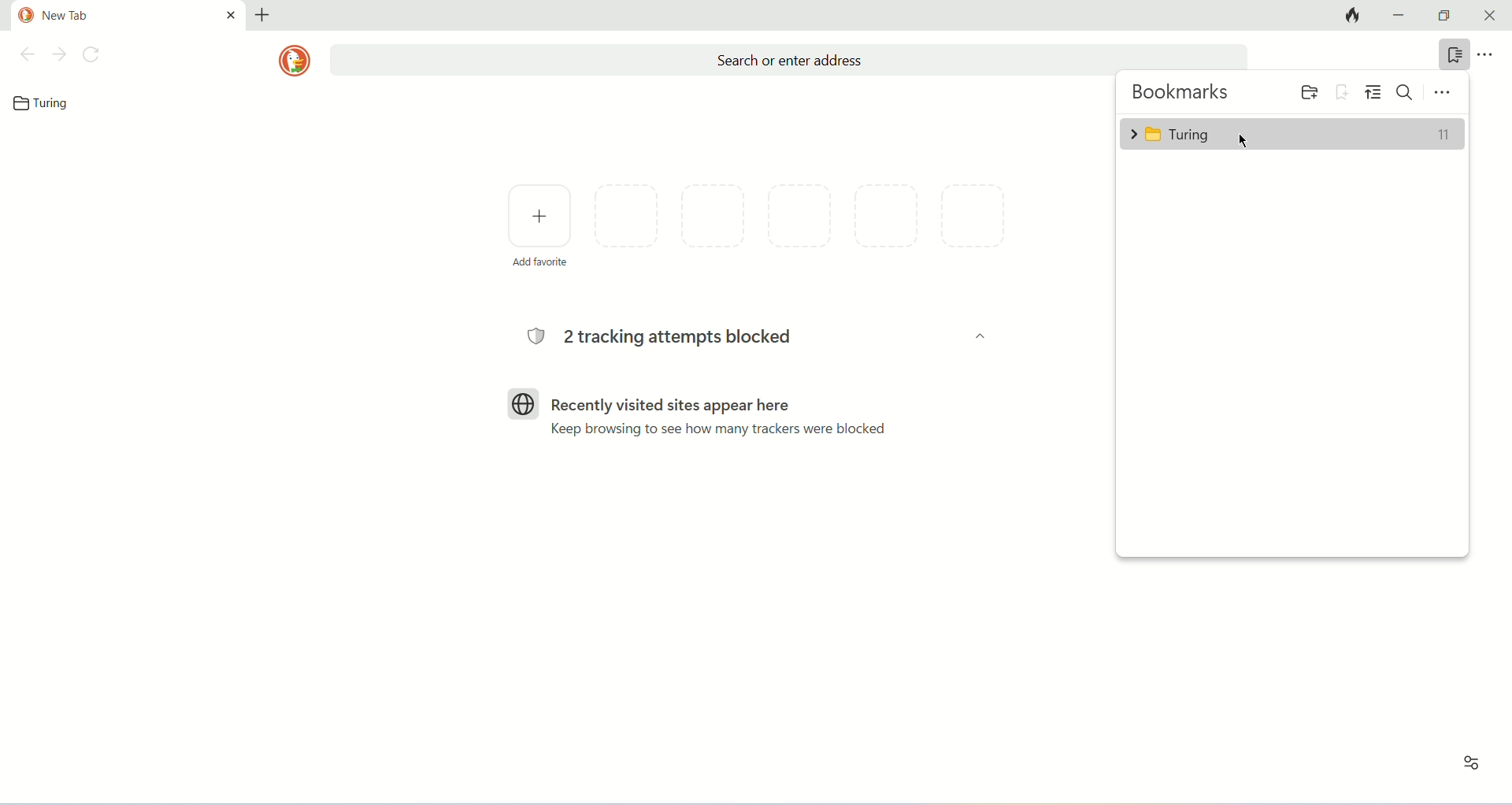 This screenshot has width=1512, height=805. Describe the element at coordinates (1182, 94) in the screenshot. I see `bookmarks` at that location.